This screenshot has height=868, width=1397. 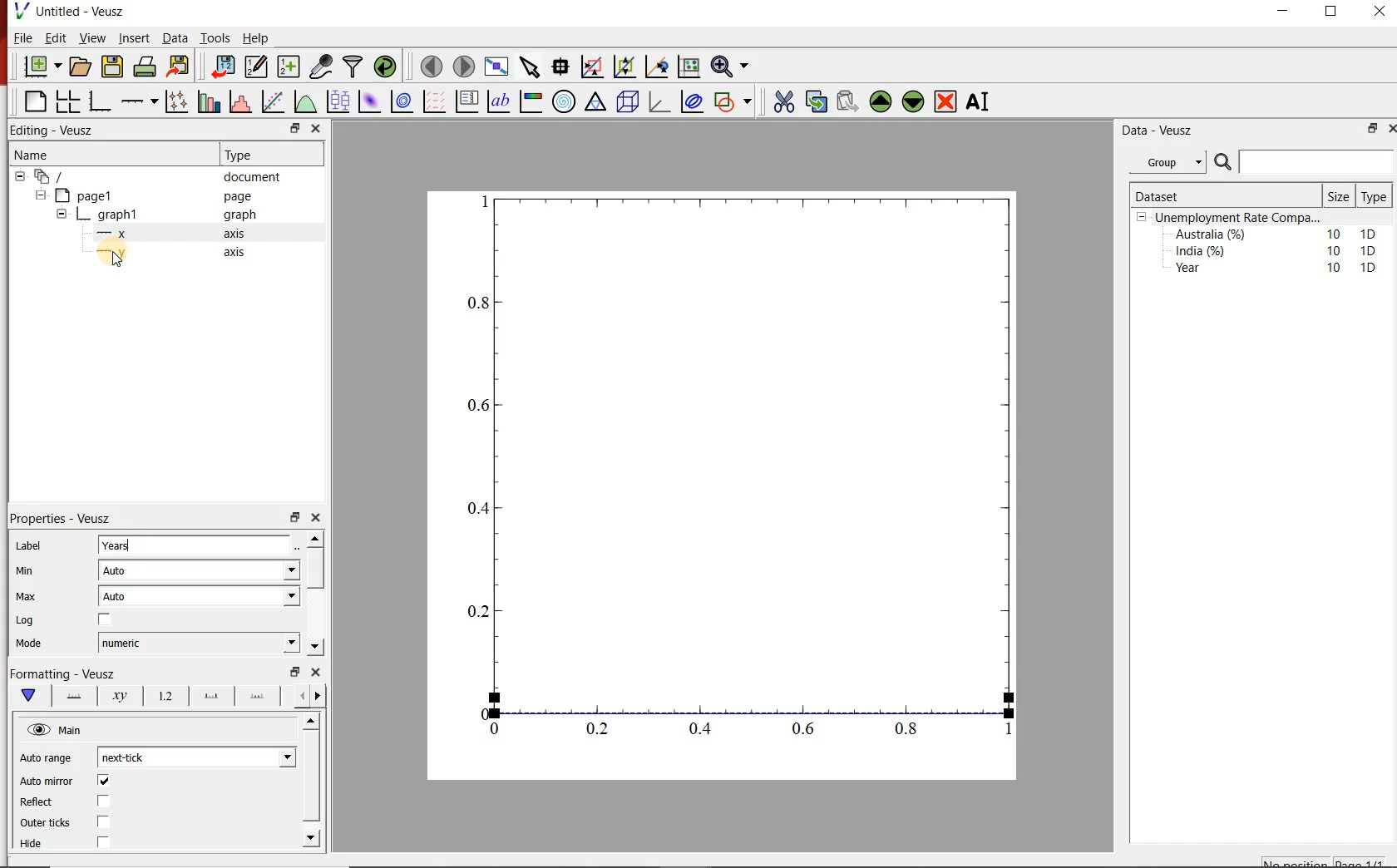 What do you see at coordinates (314, 569) in the screenshot?
I see `scroll bar` at bounding box center [314, 569].